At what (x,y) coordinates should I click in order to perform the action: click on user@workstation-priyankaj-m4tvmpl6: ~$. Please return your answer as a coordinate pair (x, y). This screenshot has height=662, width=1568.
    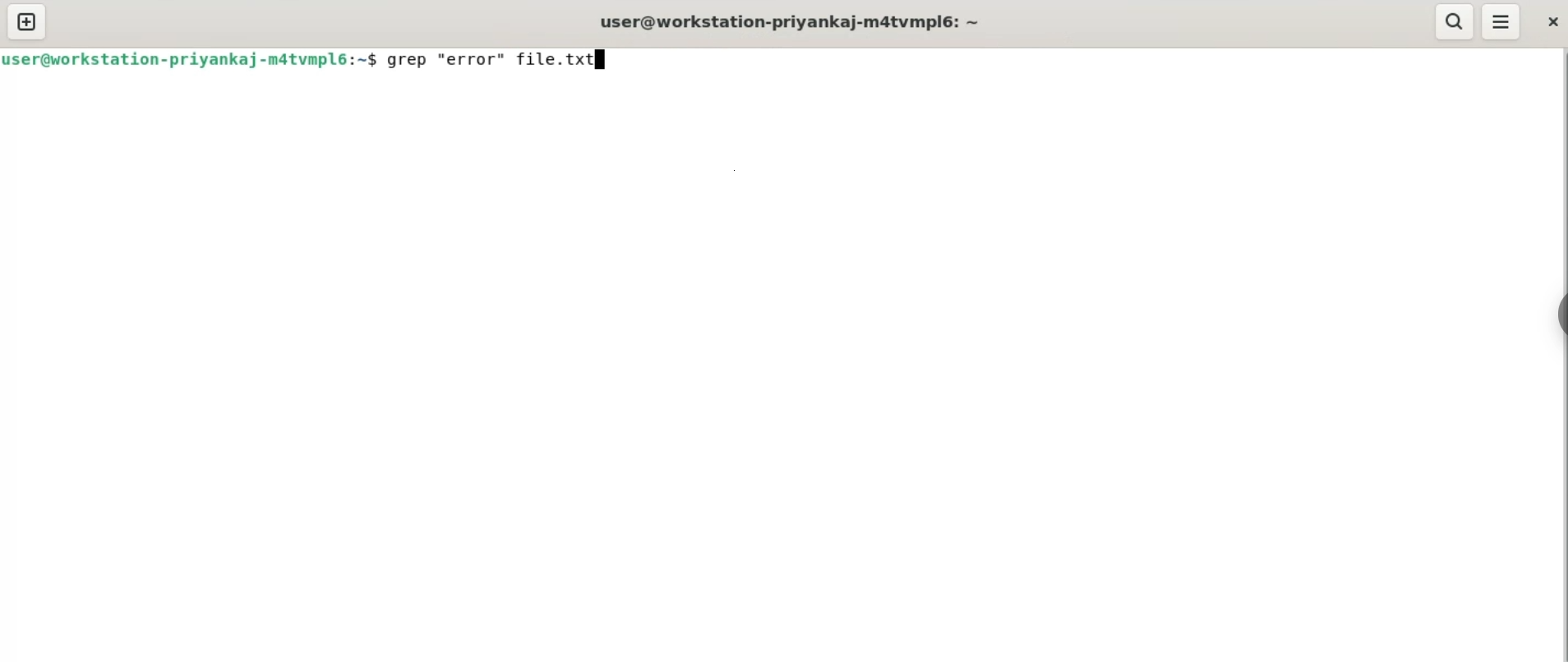
    Looking at the image, I should click on (194, 58).